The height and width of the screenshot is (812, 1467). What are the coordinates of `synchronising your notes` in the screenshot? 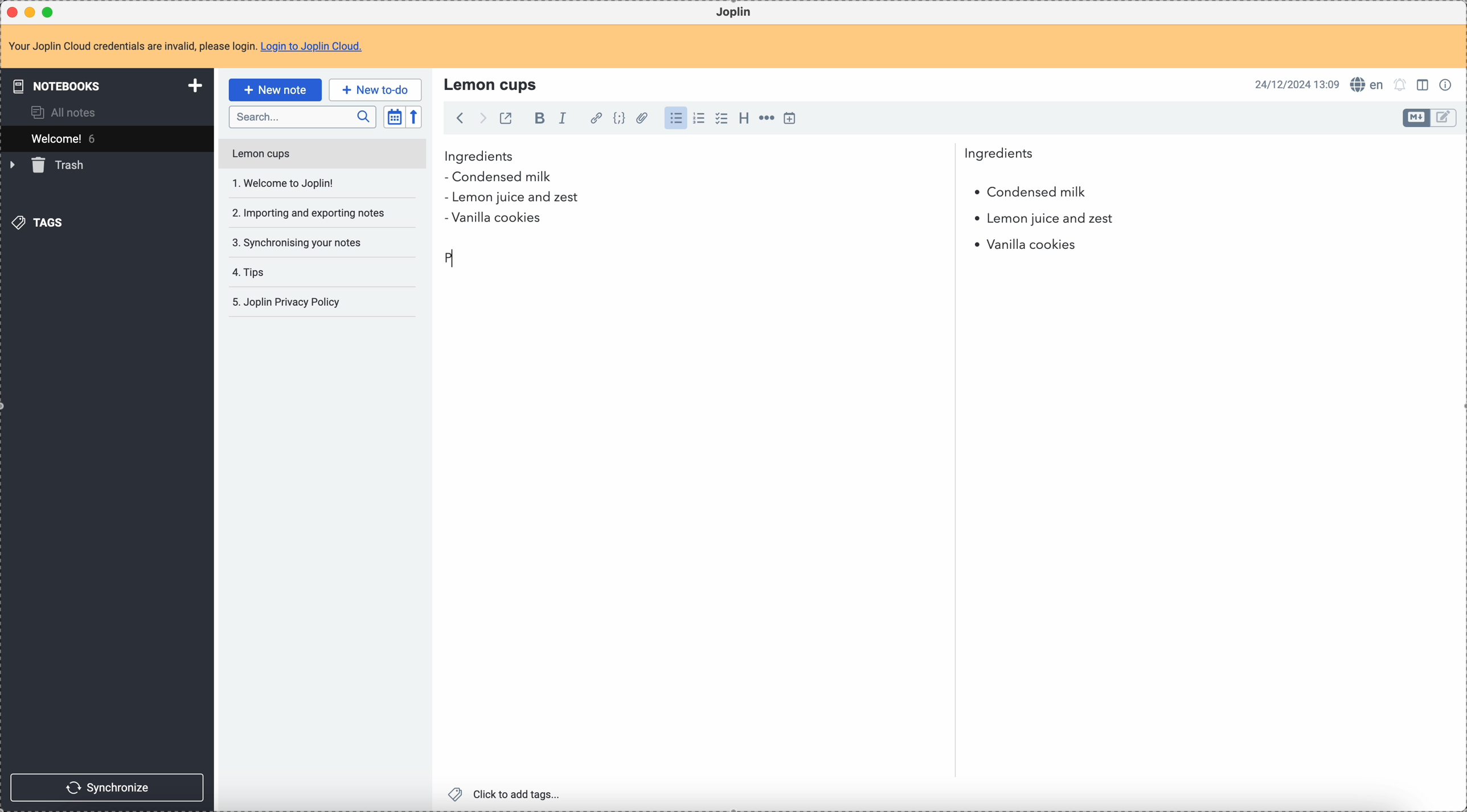 It's located at (296, 241).